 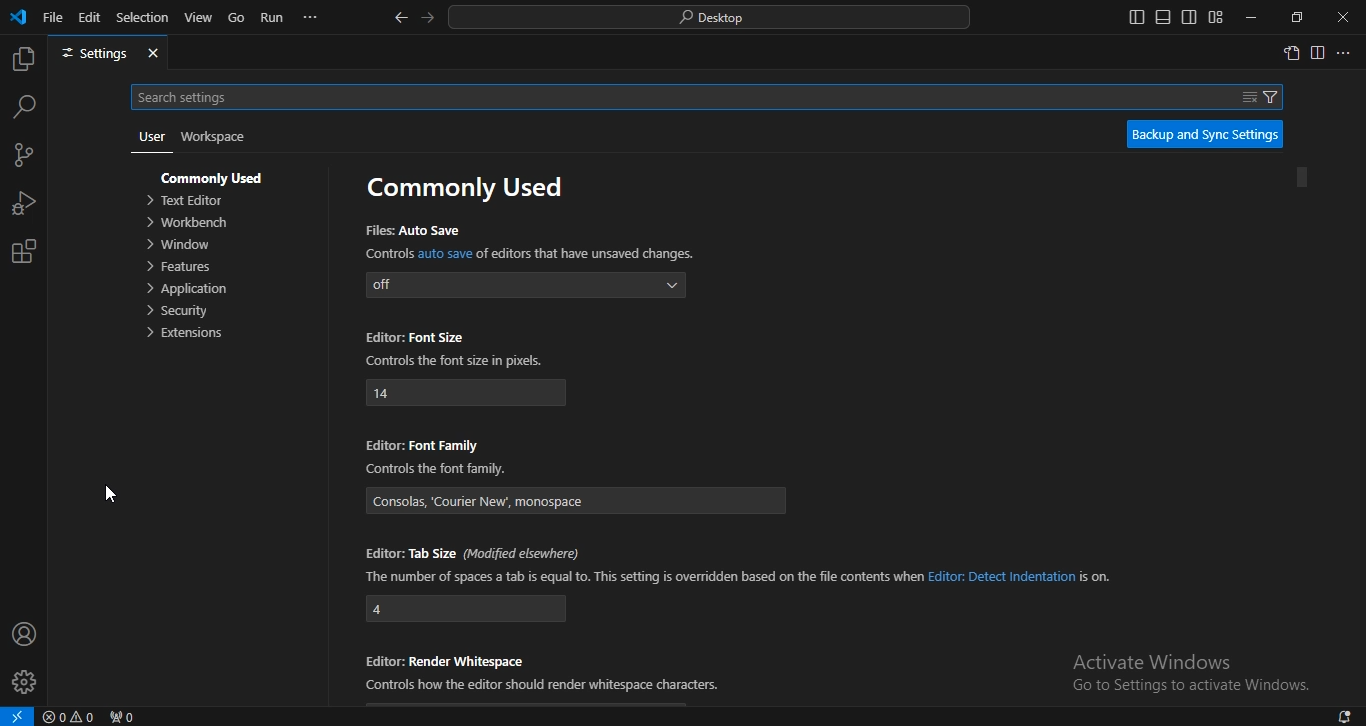 What do you see at coordinates (555, 673) in the screenshot?
I see `Editor: Render Whitespace
Controls how the editor should render whitespace characters.` at bounding box center [555, 673].